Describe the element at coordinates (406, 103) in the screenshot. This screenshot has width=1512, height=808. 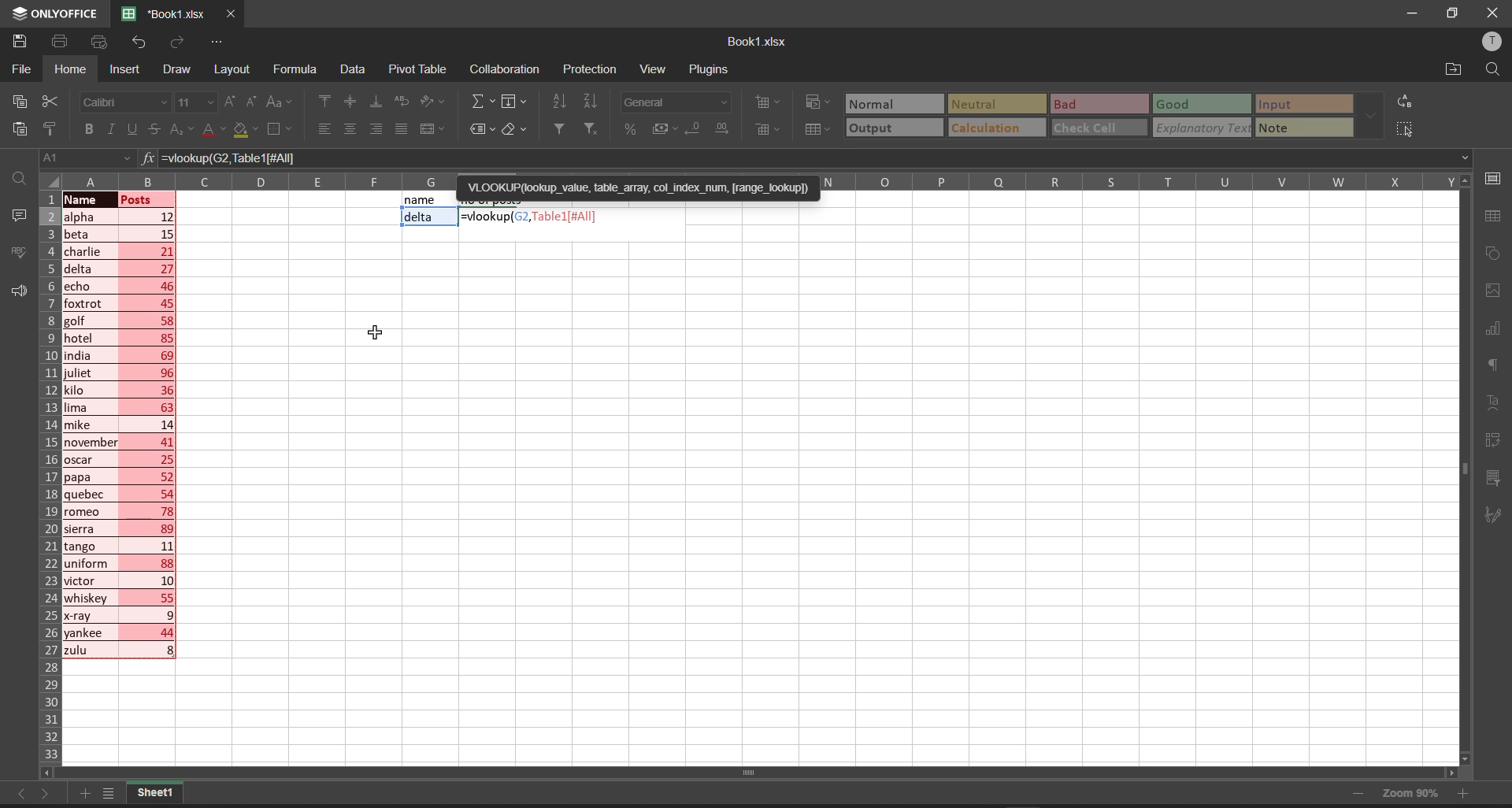
I see `wrap text` at that location.